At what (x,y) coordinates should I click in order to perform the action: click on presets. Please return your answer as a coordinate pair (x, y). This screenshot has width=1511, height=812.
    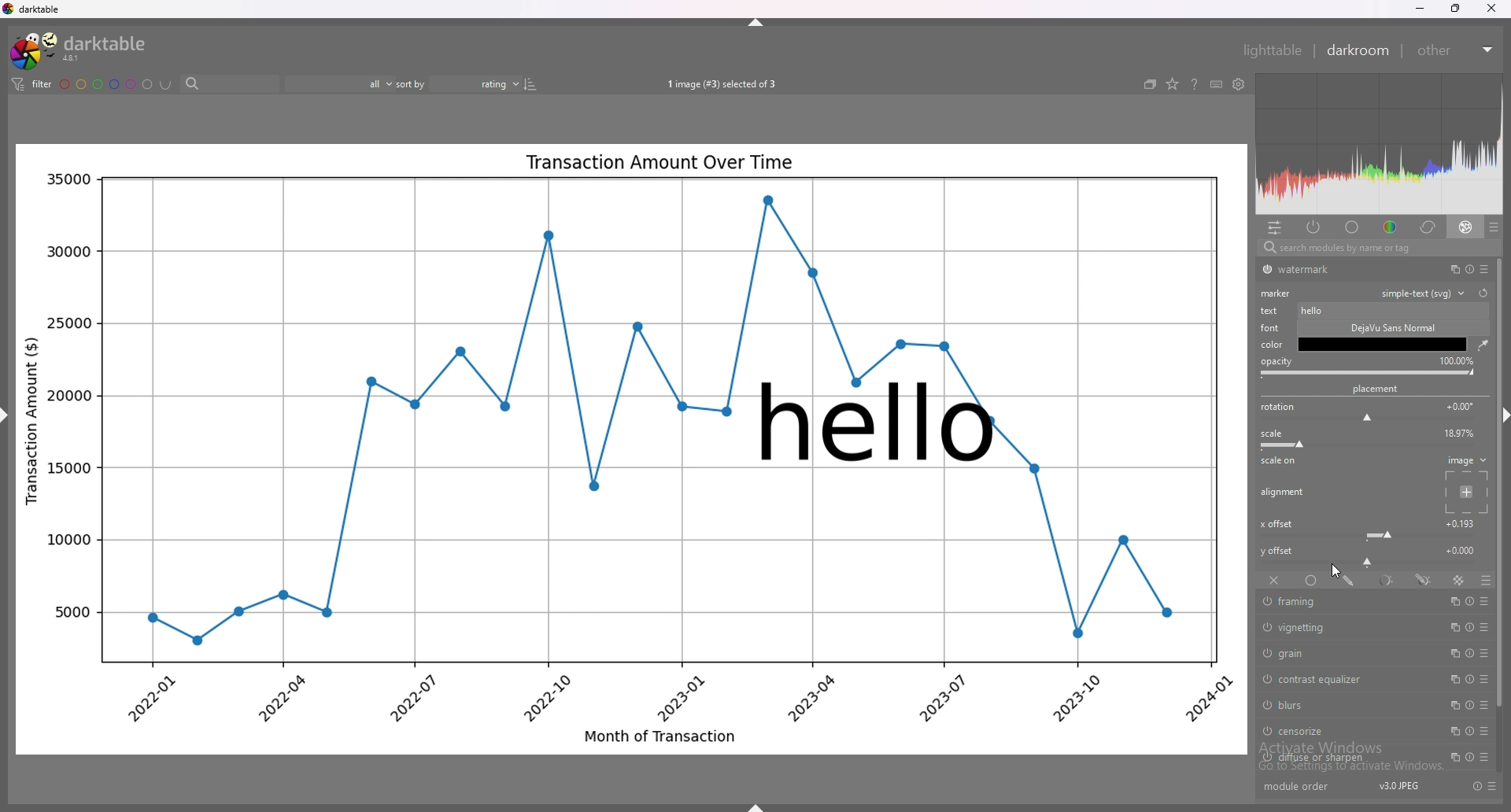
    Looking at the image, I should click on (1486, 601).